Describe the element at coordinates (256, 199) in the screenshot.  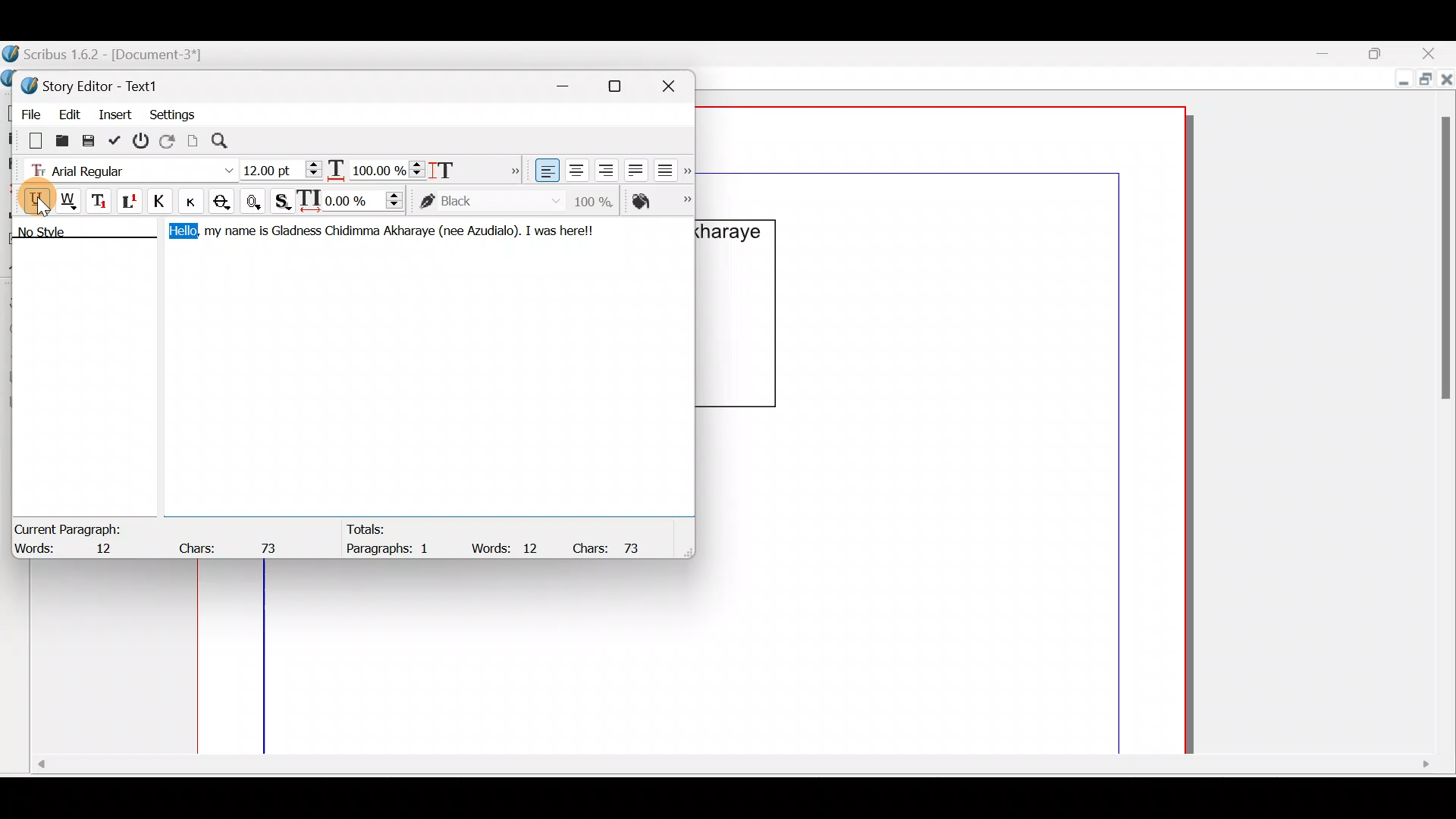
I see `Outline` at that location.